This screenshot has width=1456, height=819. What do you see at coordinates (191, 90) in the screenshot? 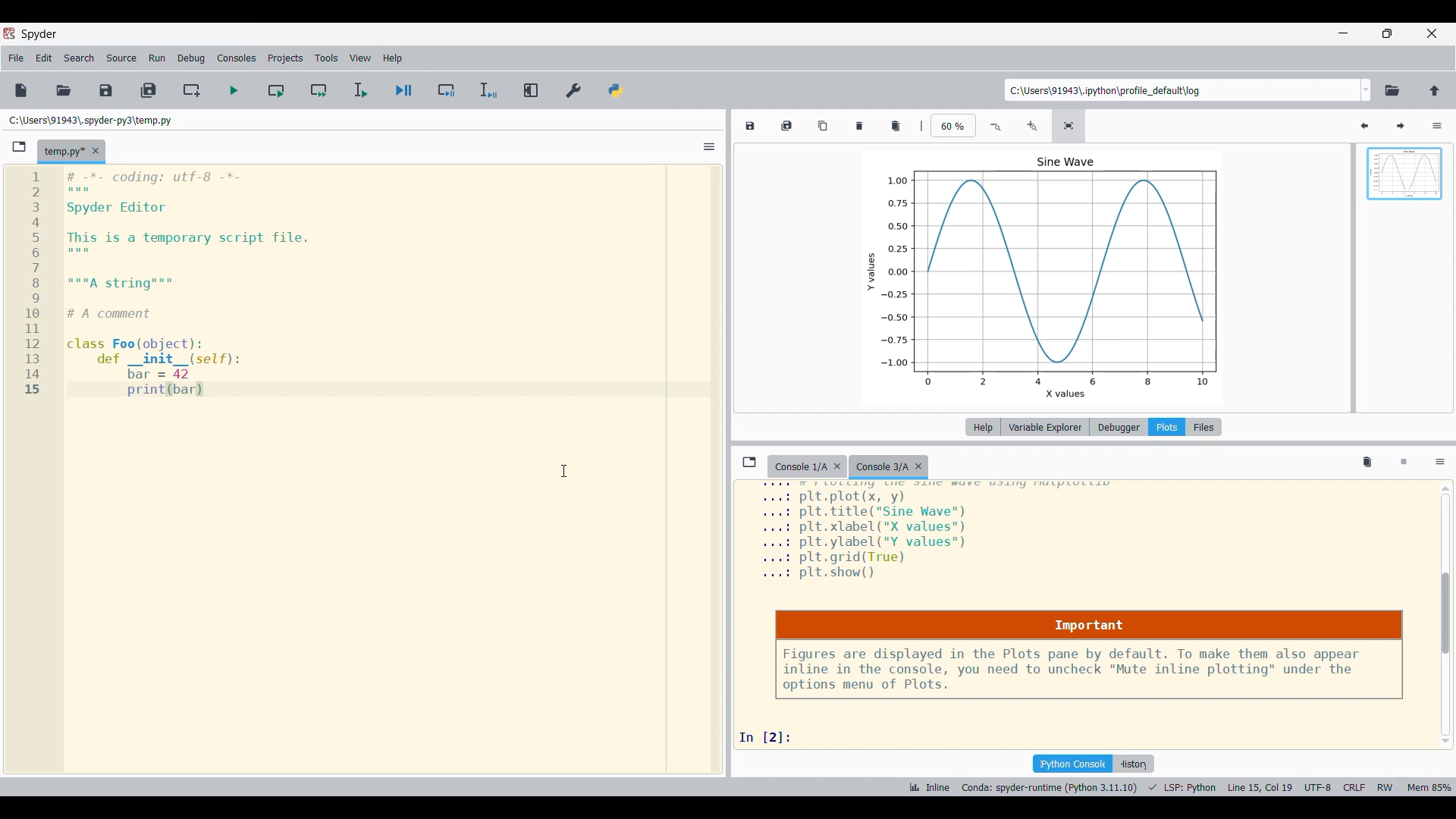
I see `Create new cell at current line` at bounding box center [191, 90].